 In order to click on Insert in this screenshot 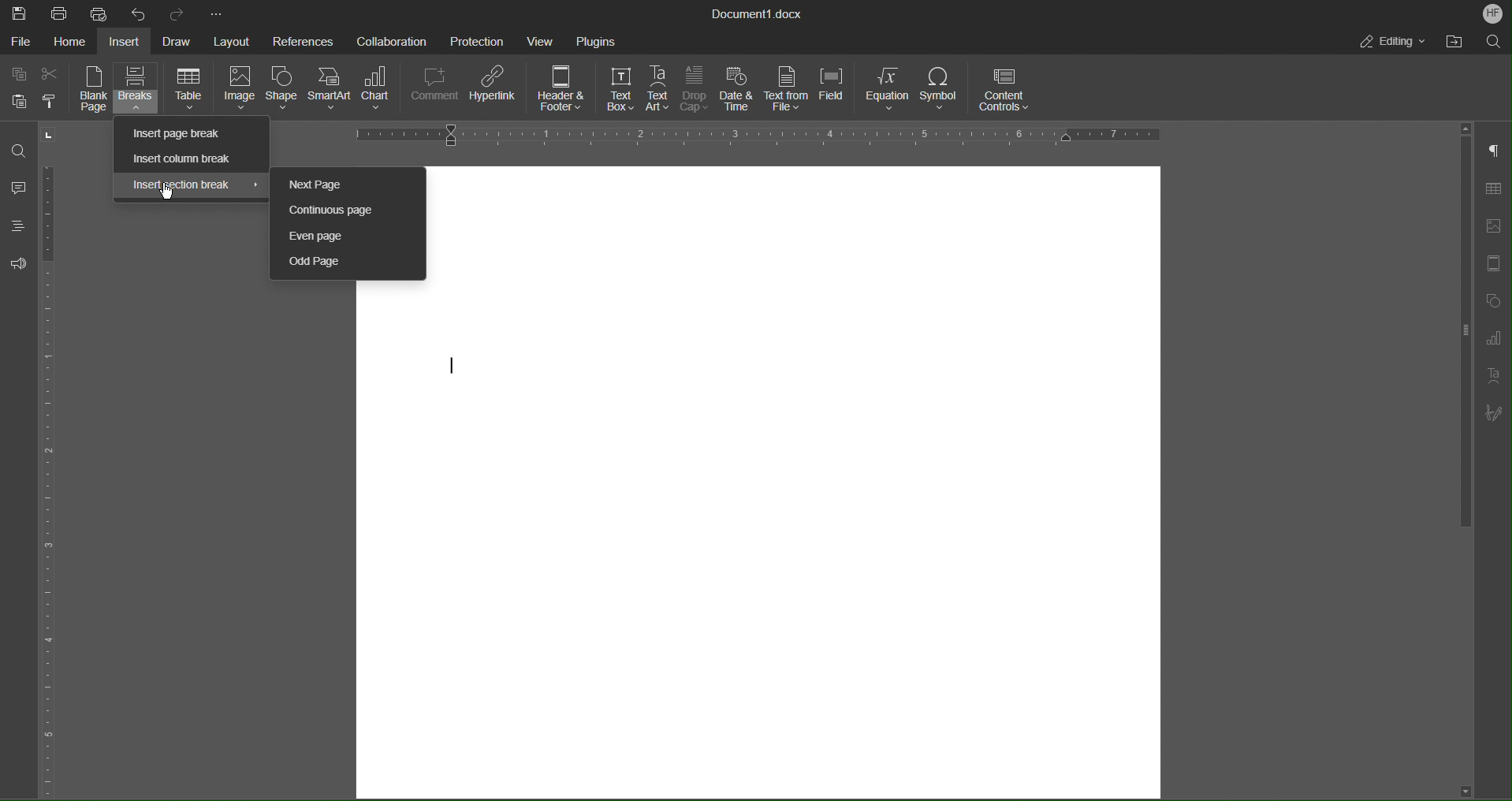, I will do `click(125, 39)`.